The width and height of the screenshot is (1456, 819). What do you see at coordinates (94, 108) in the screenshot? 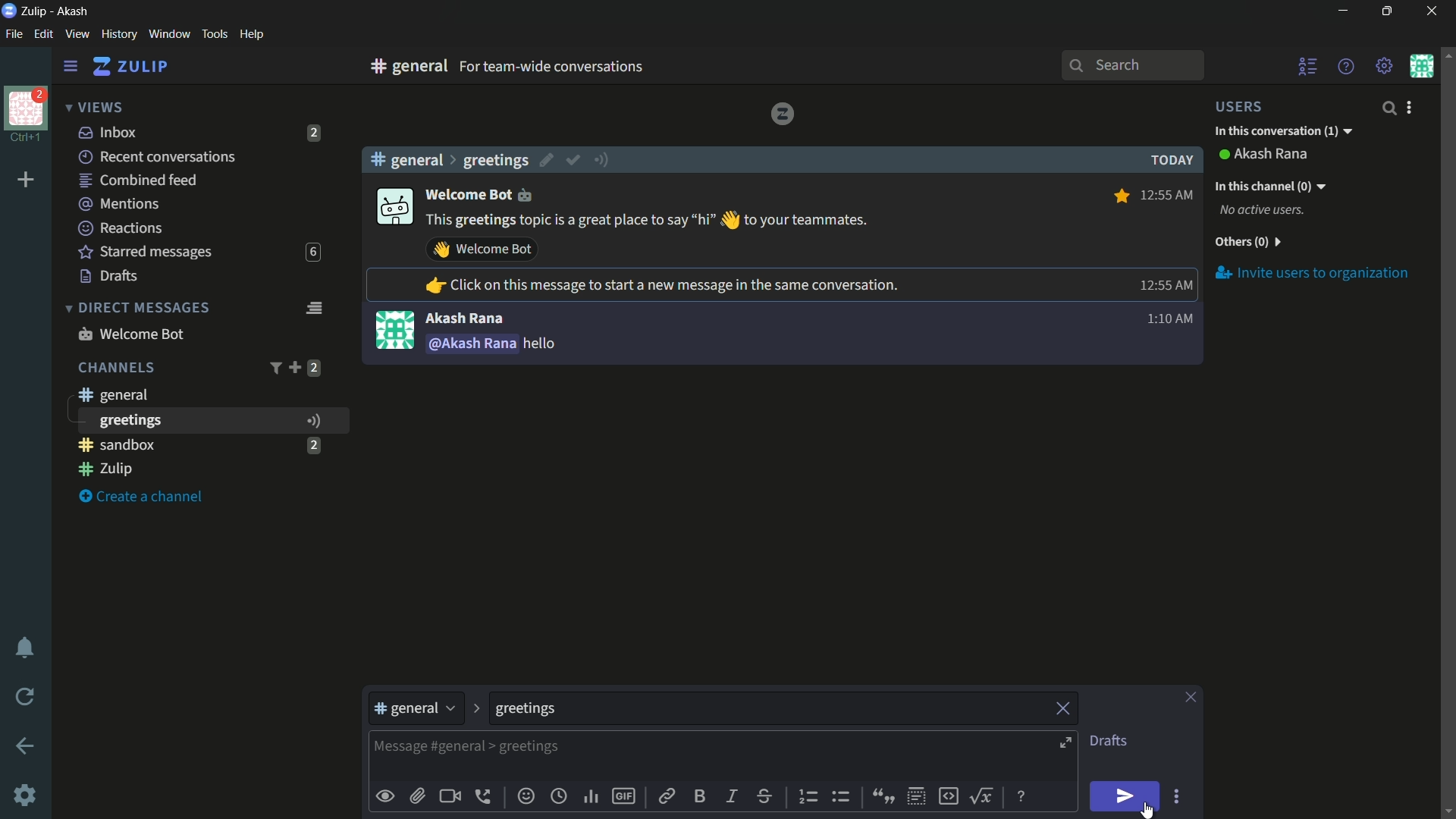
I see `views dropdown` at bounding box center [94, 108].